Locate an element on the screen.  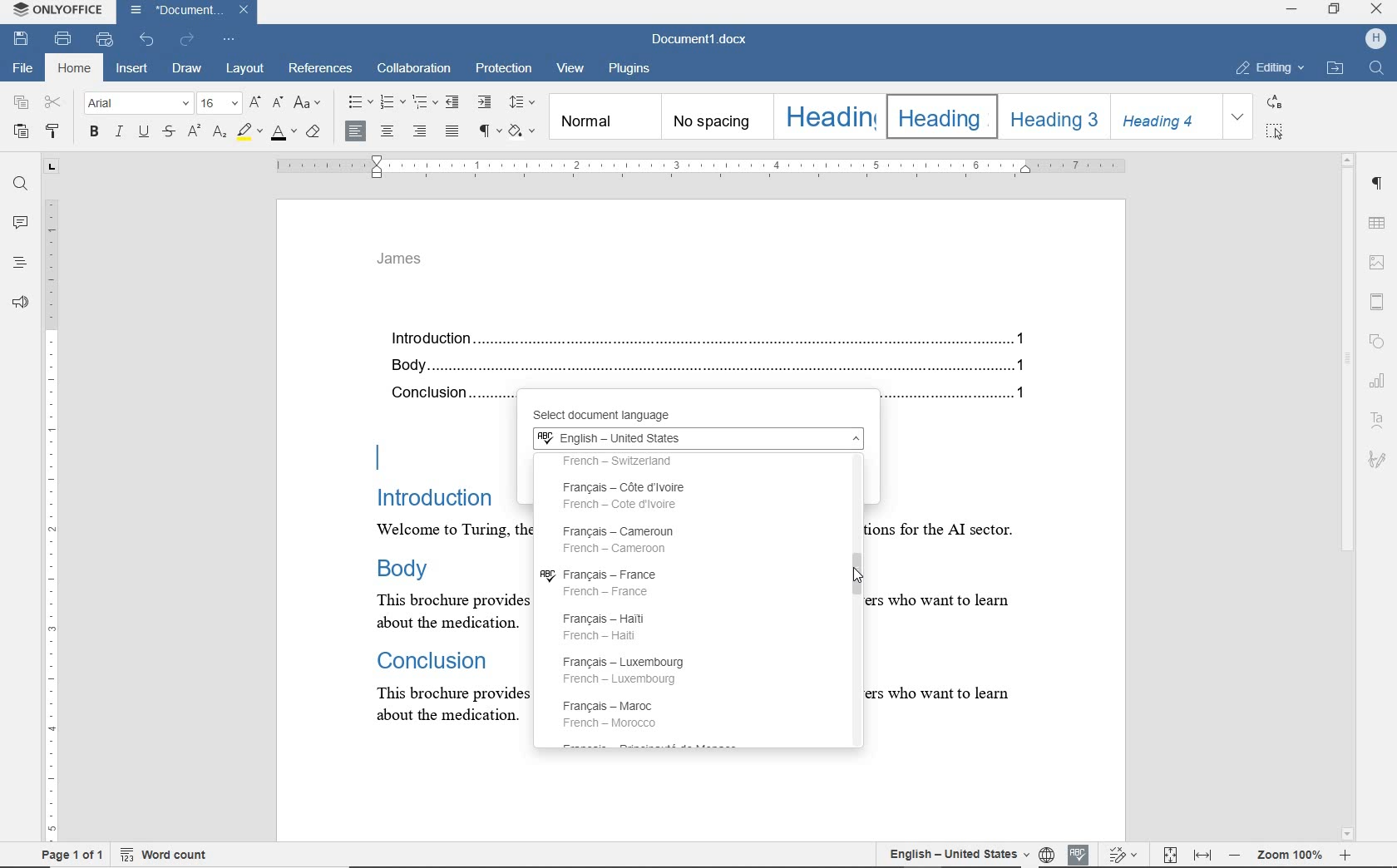
scrollbar is located at coordinates (853, 594).